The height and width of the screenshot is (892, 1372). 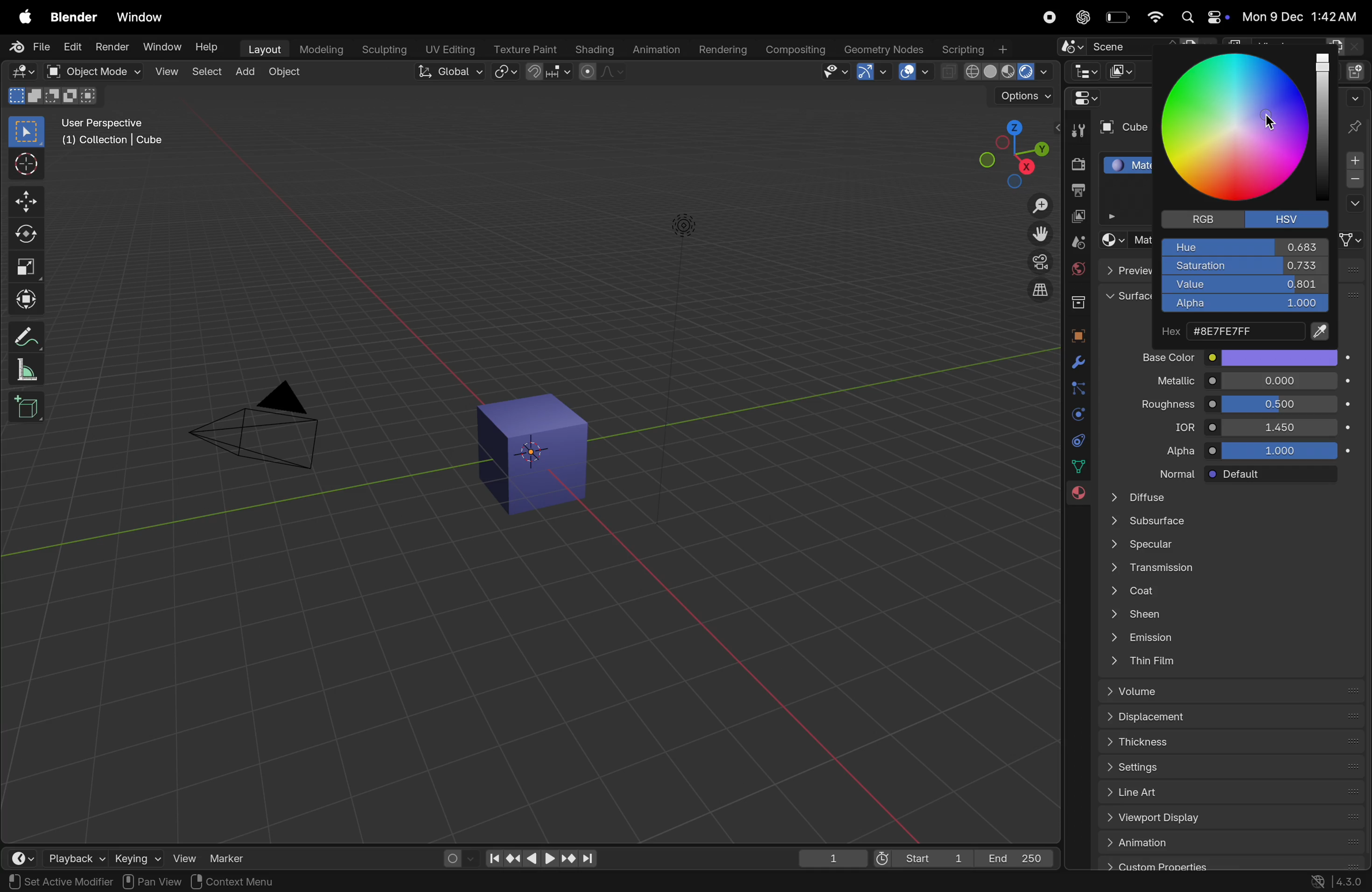 I want to click on Uv editing, so click(x=448, y=48).